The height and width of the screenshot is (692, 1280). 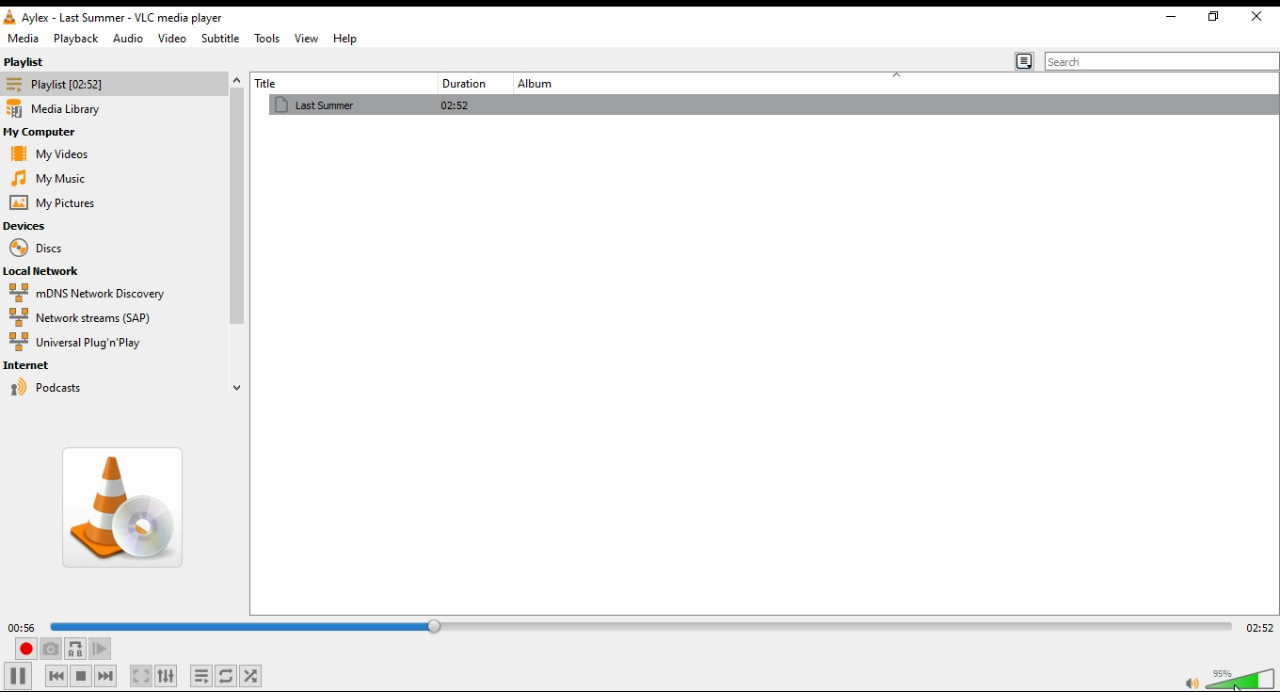 What do you see at coordinates (63, 388) in the screenshot?
I see `podcasts` at bounding box center [63, 388].